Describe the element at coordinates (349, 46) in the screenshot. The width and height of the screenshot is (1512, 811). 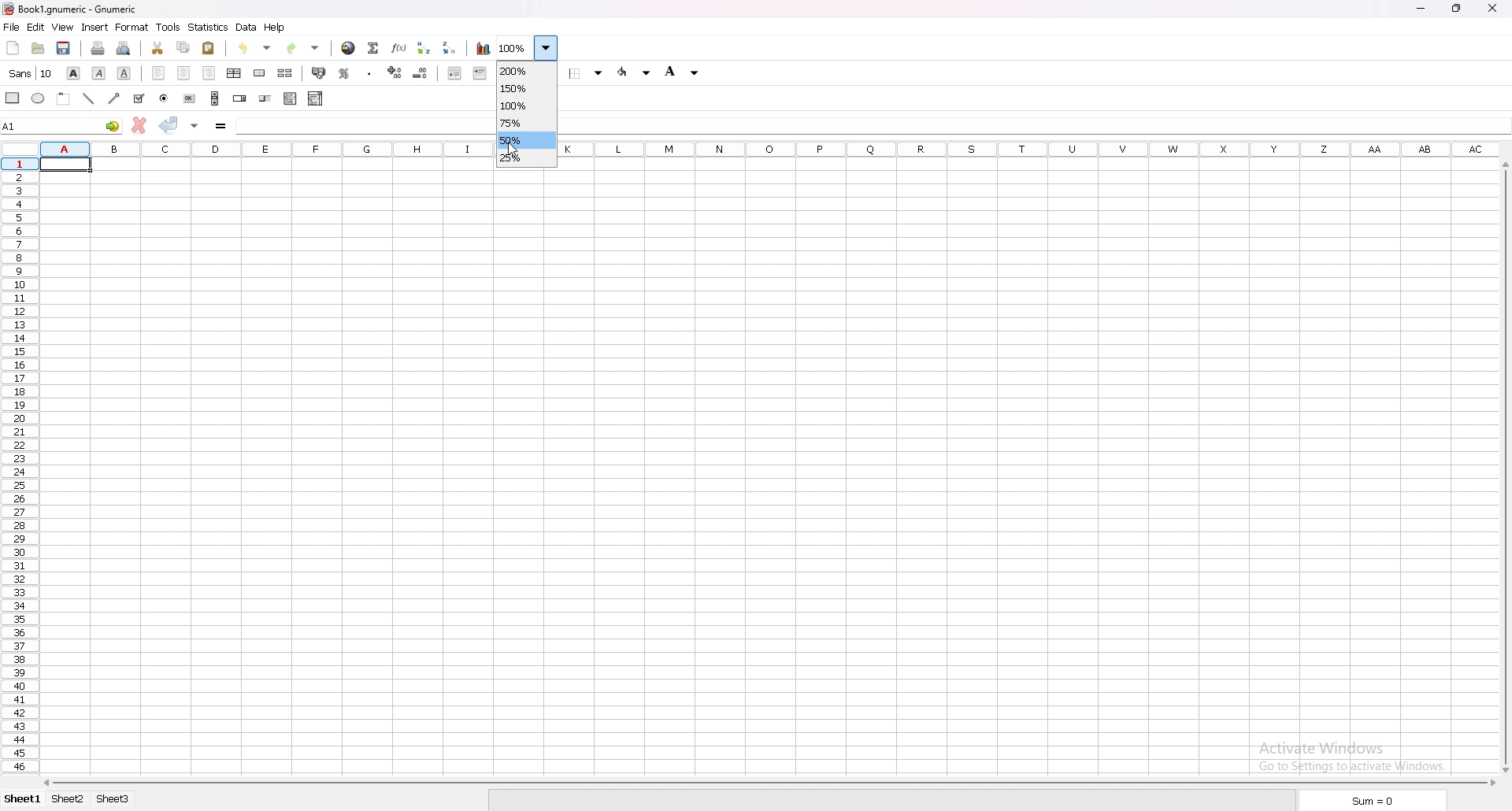
I see `hyperlink` at that location.